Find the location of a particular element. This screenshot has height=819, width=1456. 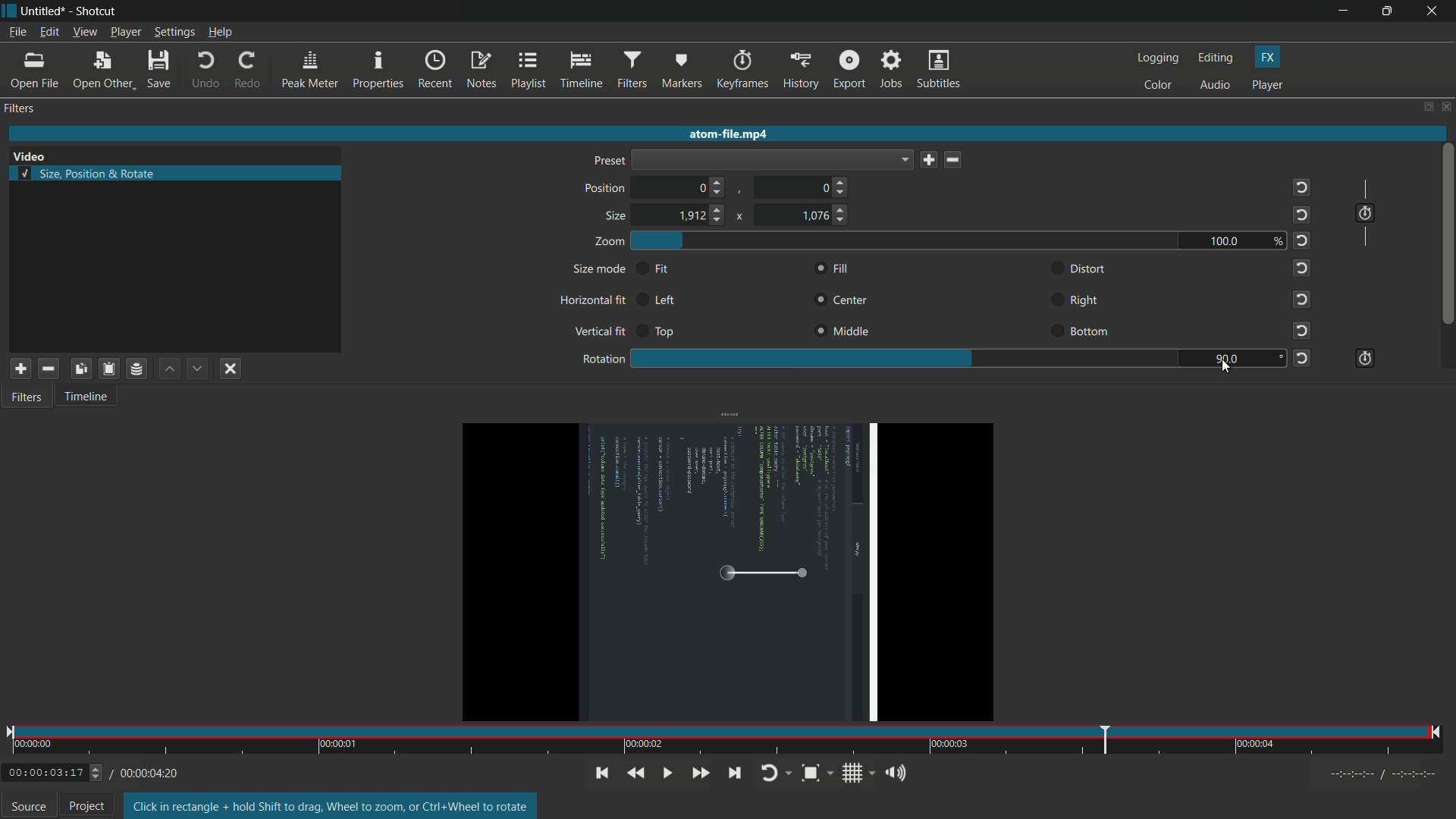

size is located at coordinates (617, 217).